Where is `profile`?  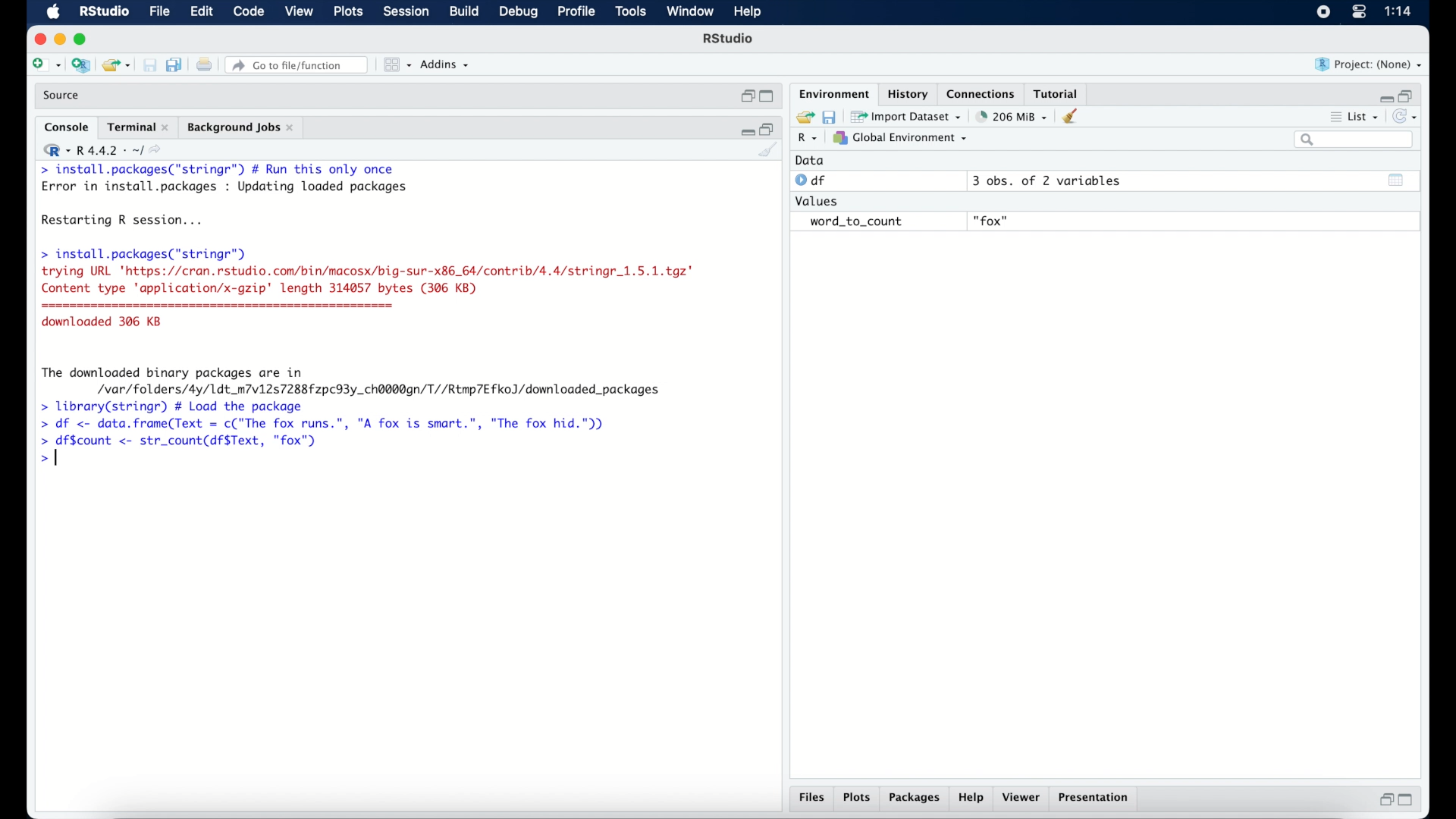
profile is located at coordinates (575, 12).